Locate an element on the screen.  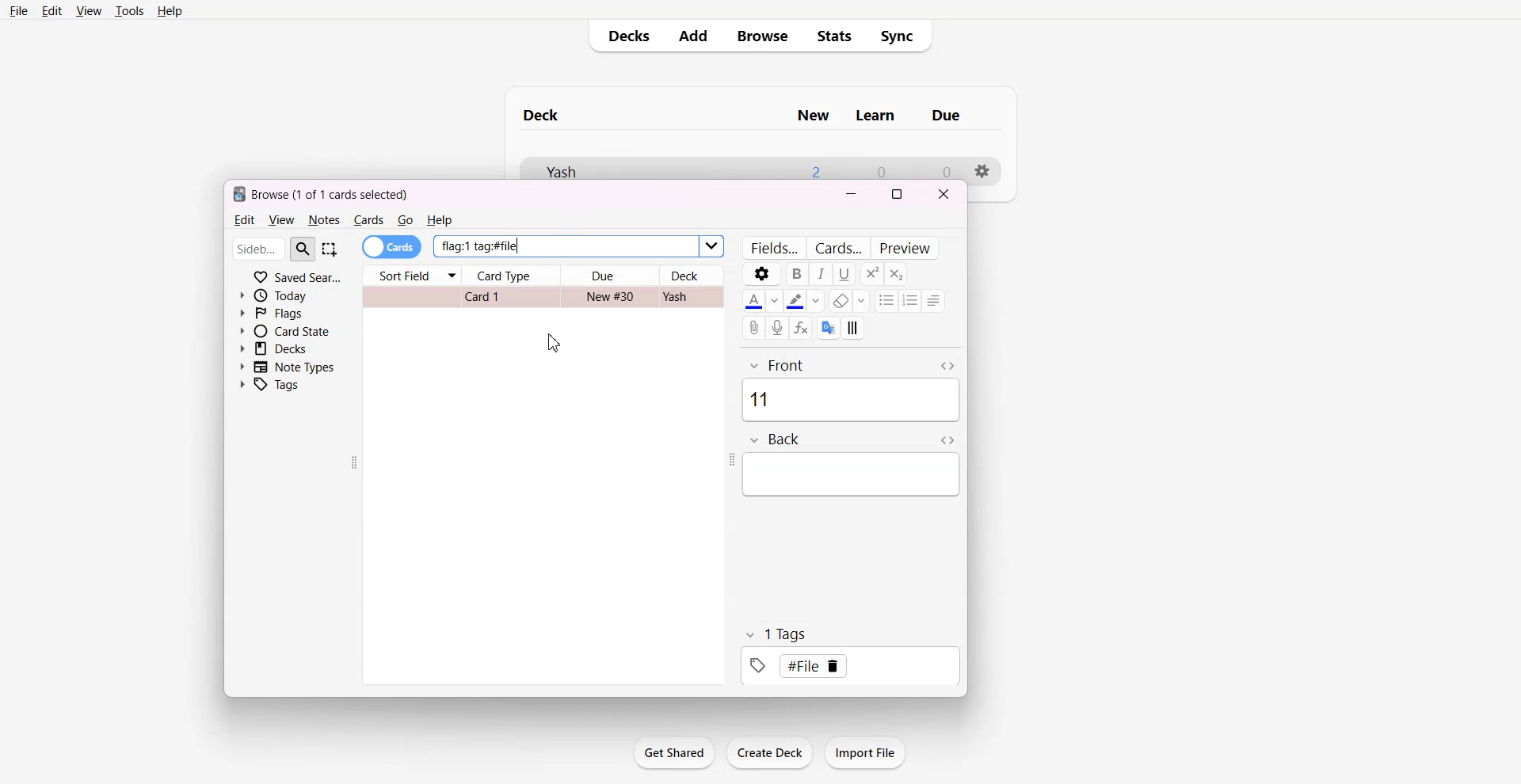
Notes is located at coordinates (324, 220).